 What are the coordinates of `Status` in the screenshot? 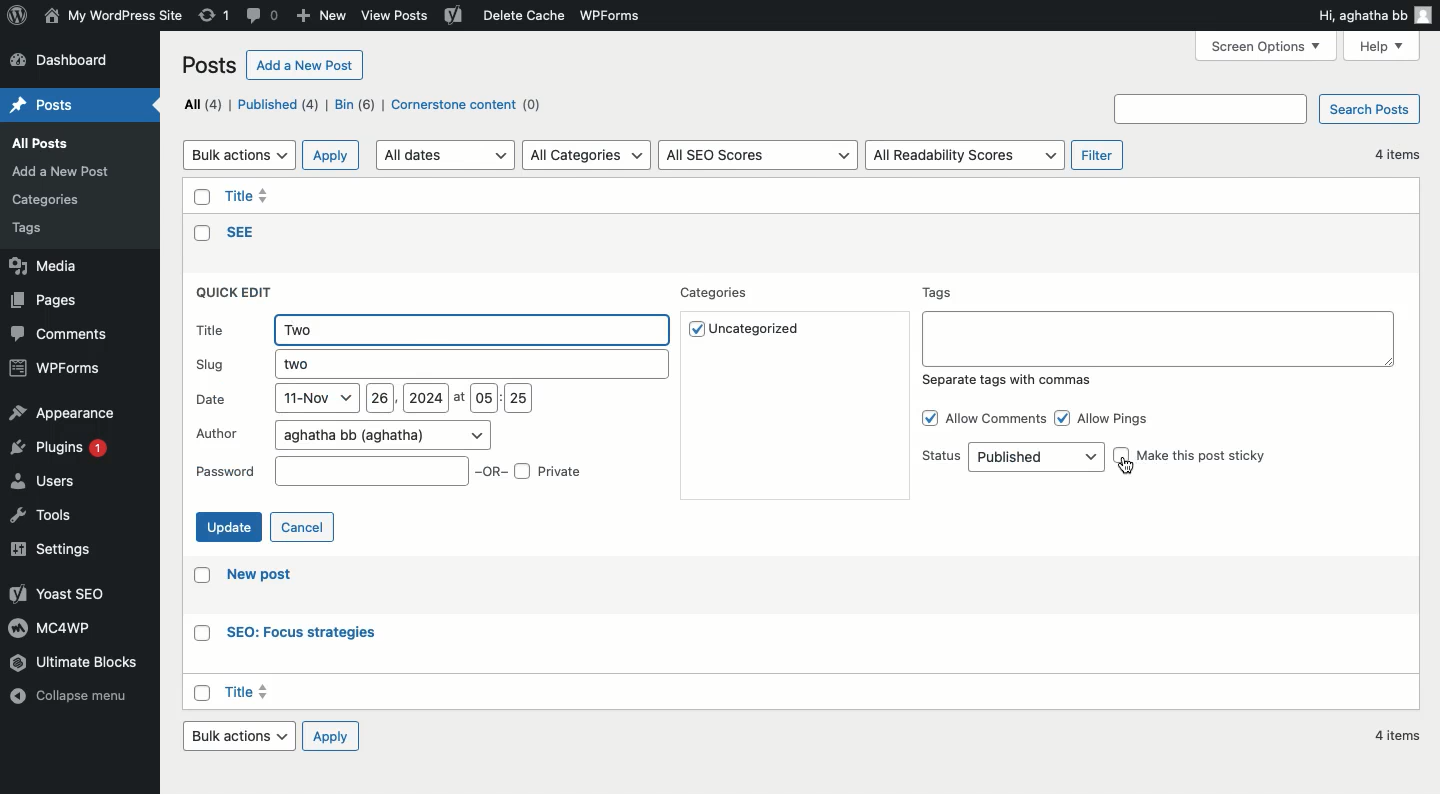 It's located at (1011, 457).